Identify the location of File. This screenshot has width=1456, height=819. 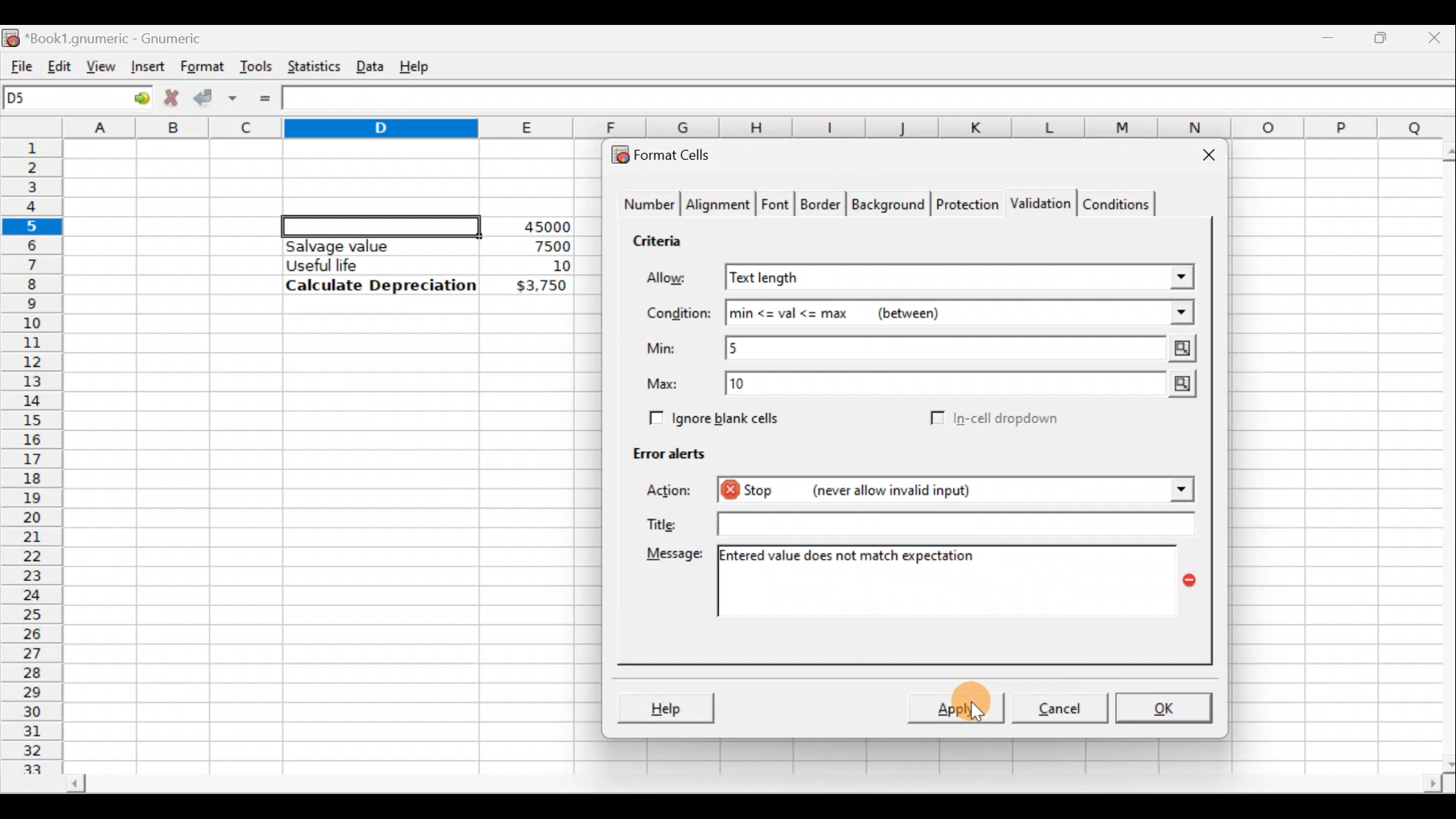
(17, 63).